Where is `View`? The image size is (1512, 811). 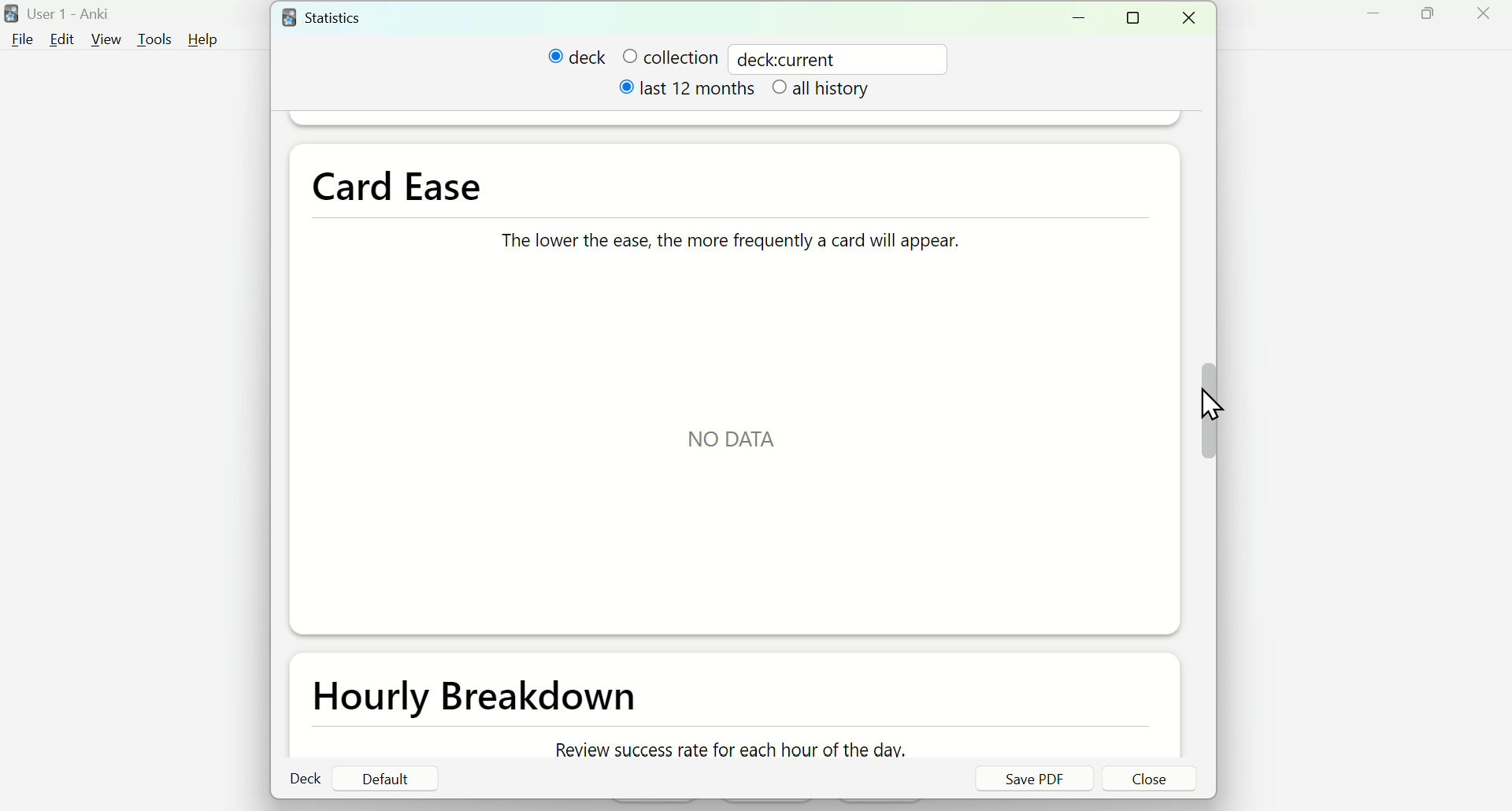
View is located at coordinates (107, 37).